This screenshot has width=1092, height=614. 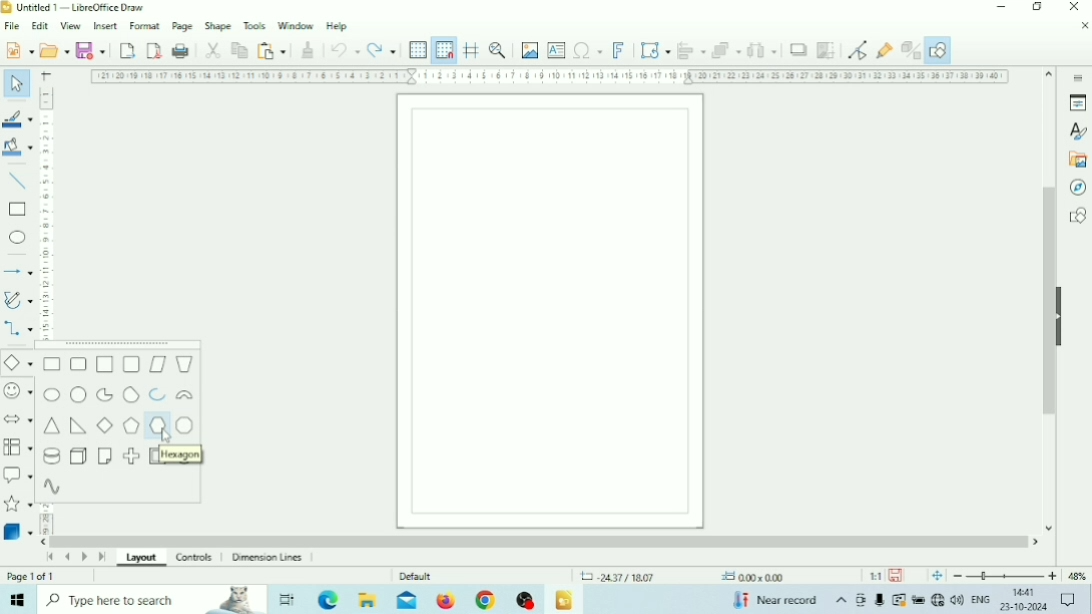 I want to click on Circle segment, so click(x=131, y=394).